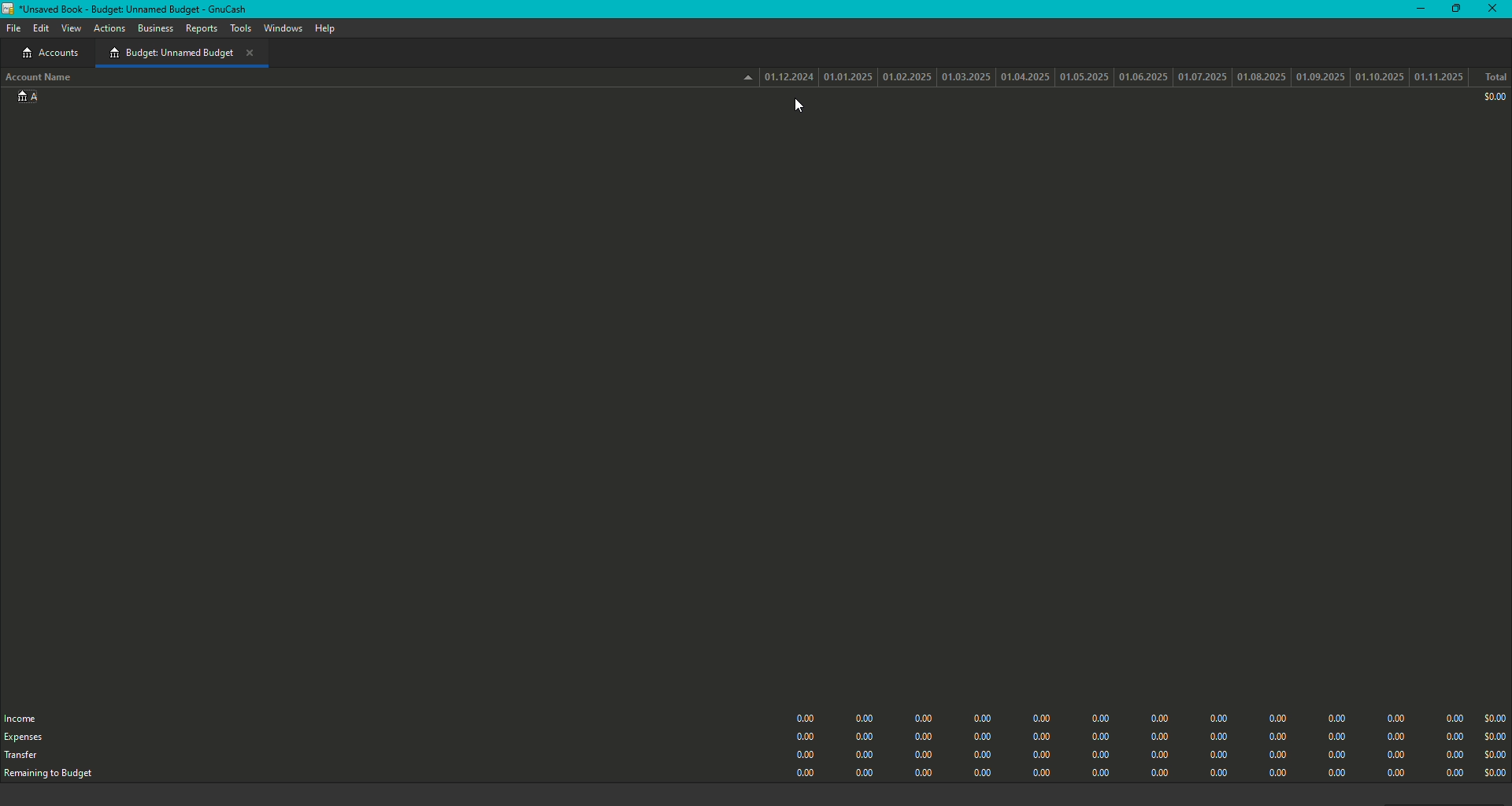 This screenshot has height=806, width=1512. Describe the element at coordinates (25, 717) in the screenshot. I see `Income` at that location.